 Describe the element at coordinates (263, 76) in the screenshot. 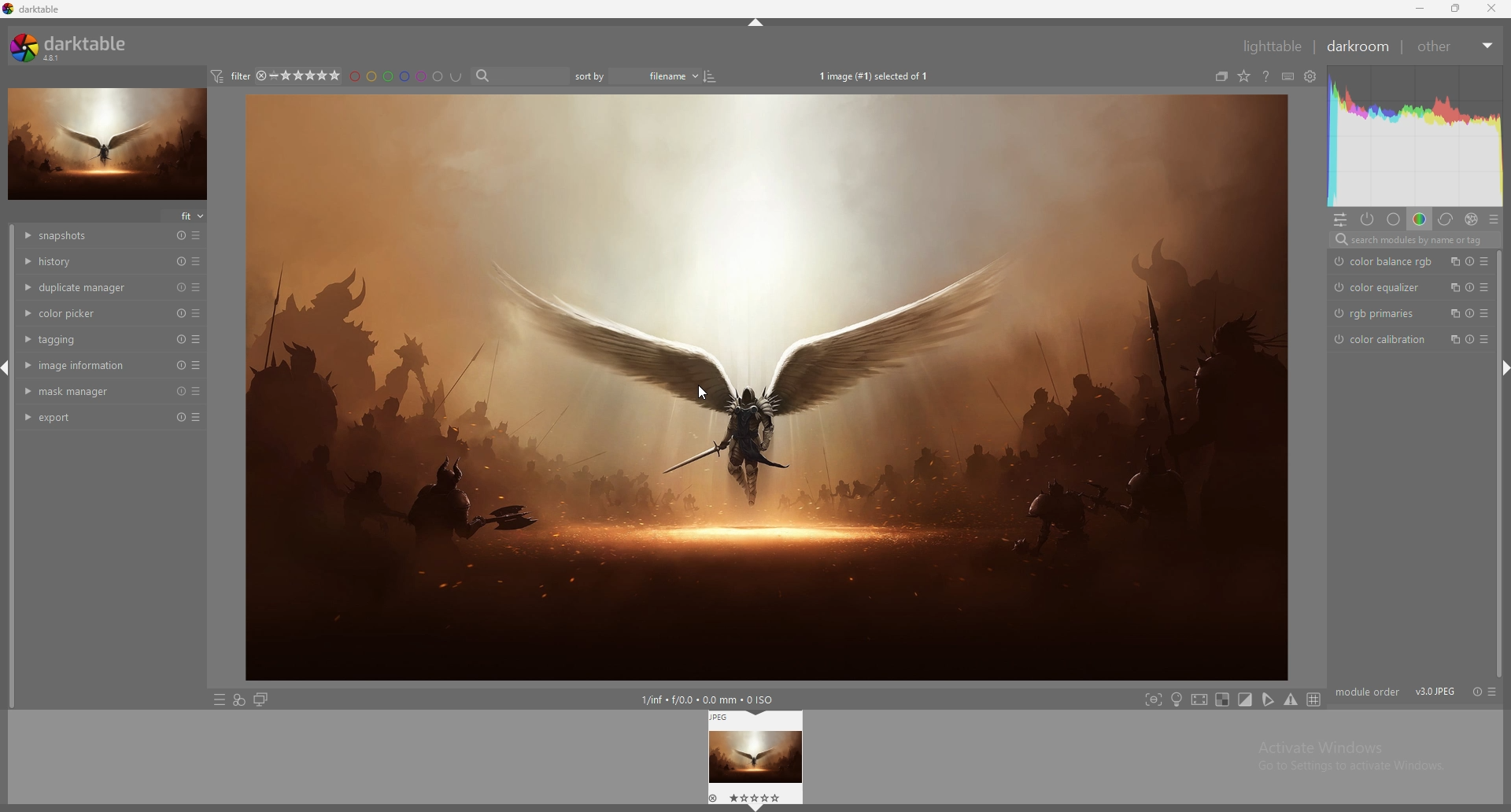

I see `4star` at that location.